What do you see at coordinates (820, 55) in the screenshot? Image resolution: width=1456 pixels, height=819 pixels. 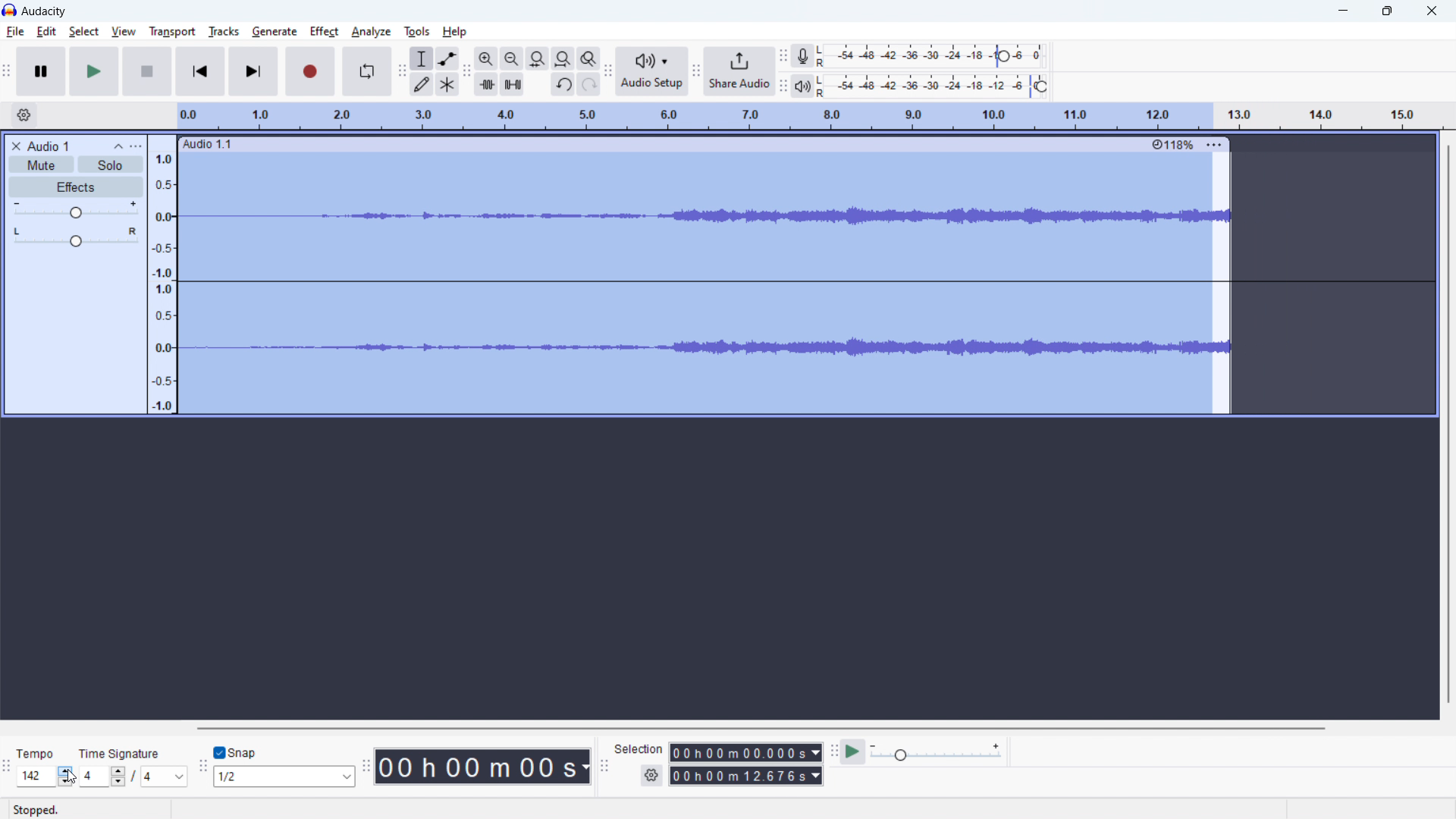 I see `LR` at bounding box center [820, 55].